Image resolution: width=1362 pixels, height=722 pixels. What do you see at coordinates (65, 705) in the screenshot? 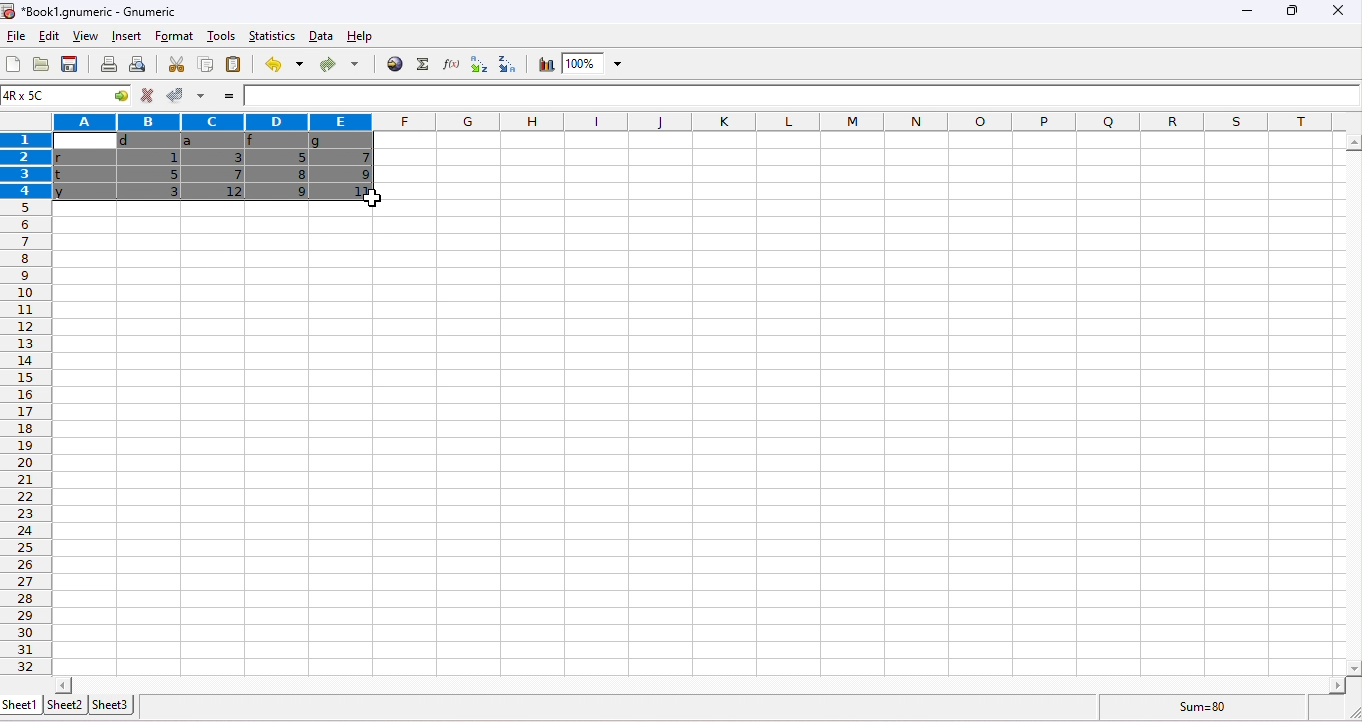
I see `sheet2` at bounding box center [65, 705].